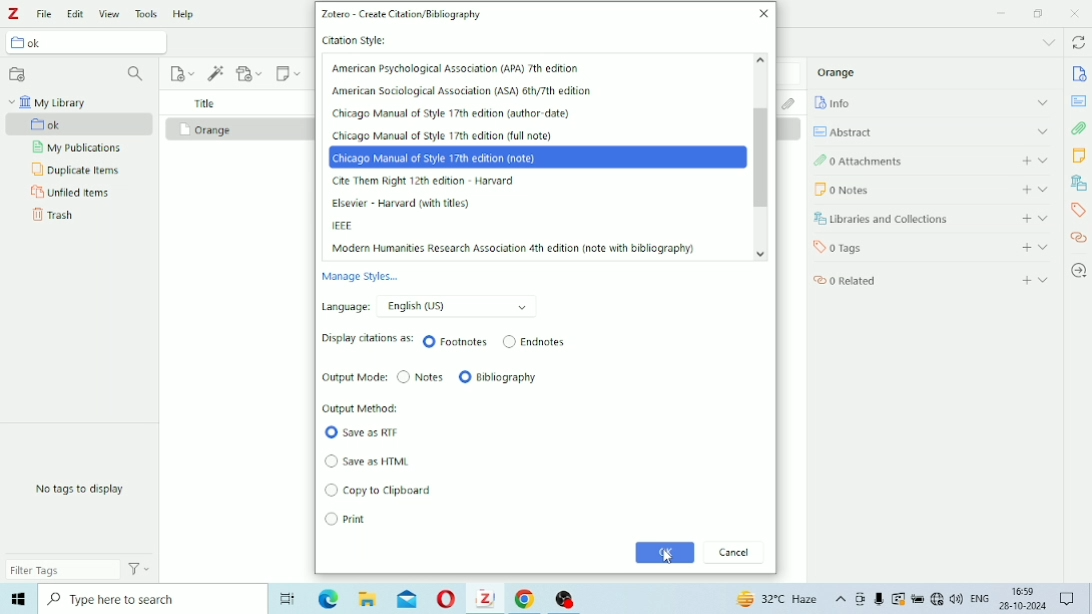 Image resolution: width=1092 pixels, height=614 pixels. Describe the element at coordinates (147, 13) in the screenshot. I see `Tools` at that location.